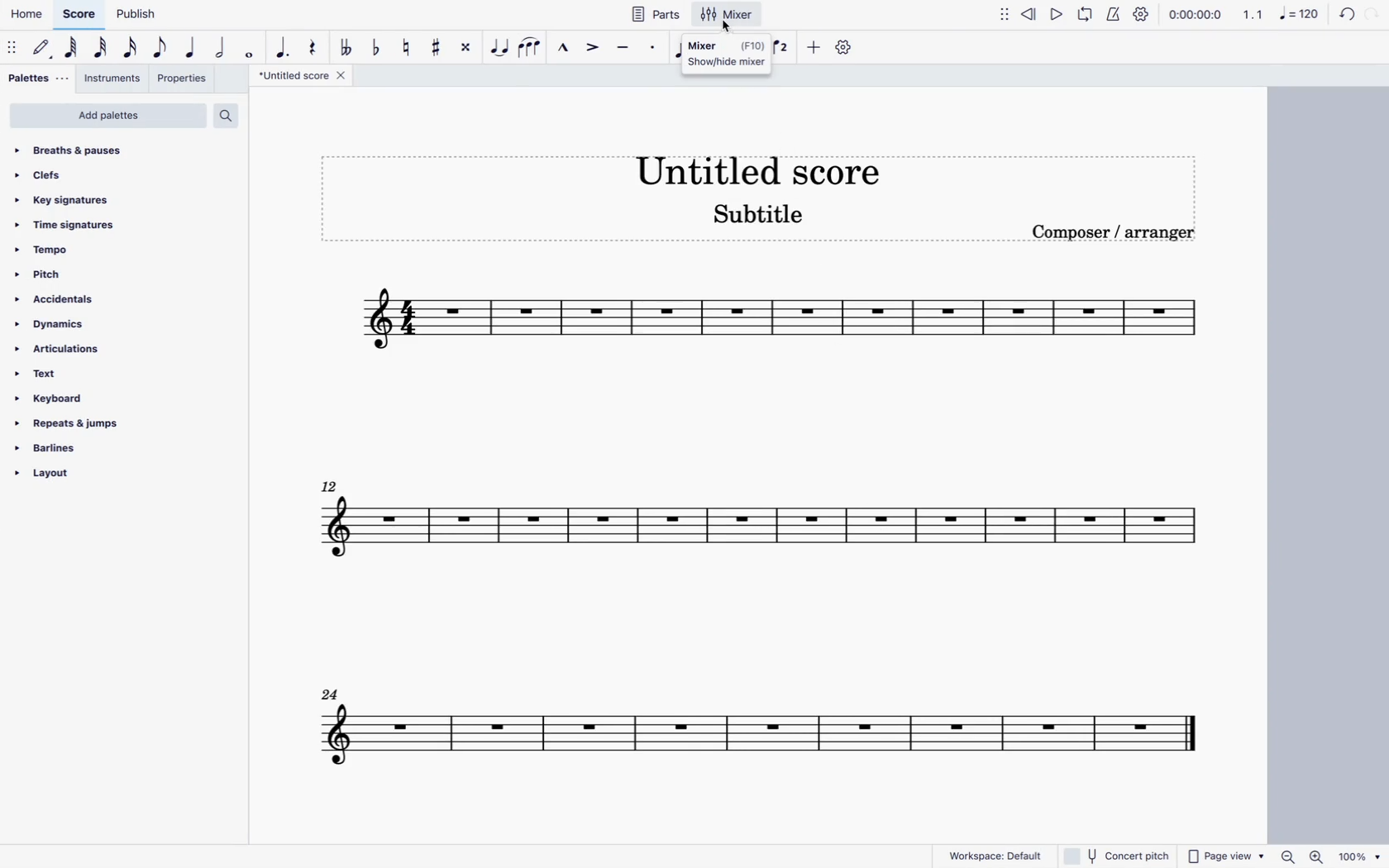  What do you see at coordinates (62, 351) in the screenshot?
I see `articulations` at bounding box center [62, 351].